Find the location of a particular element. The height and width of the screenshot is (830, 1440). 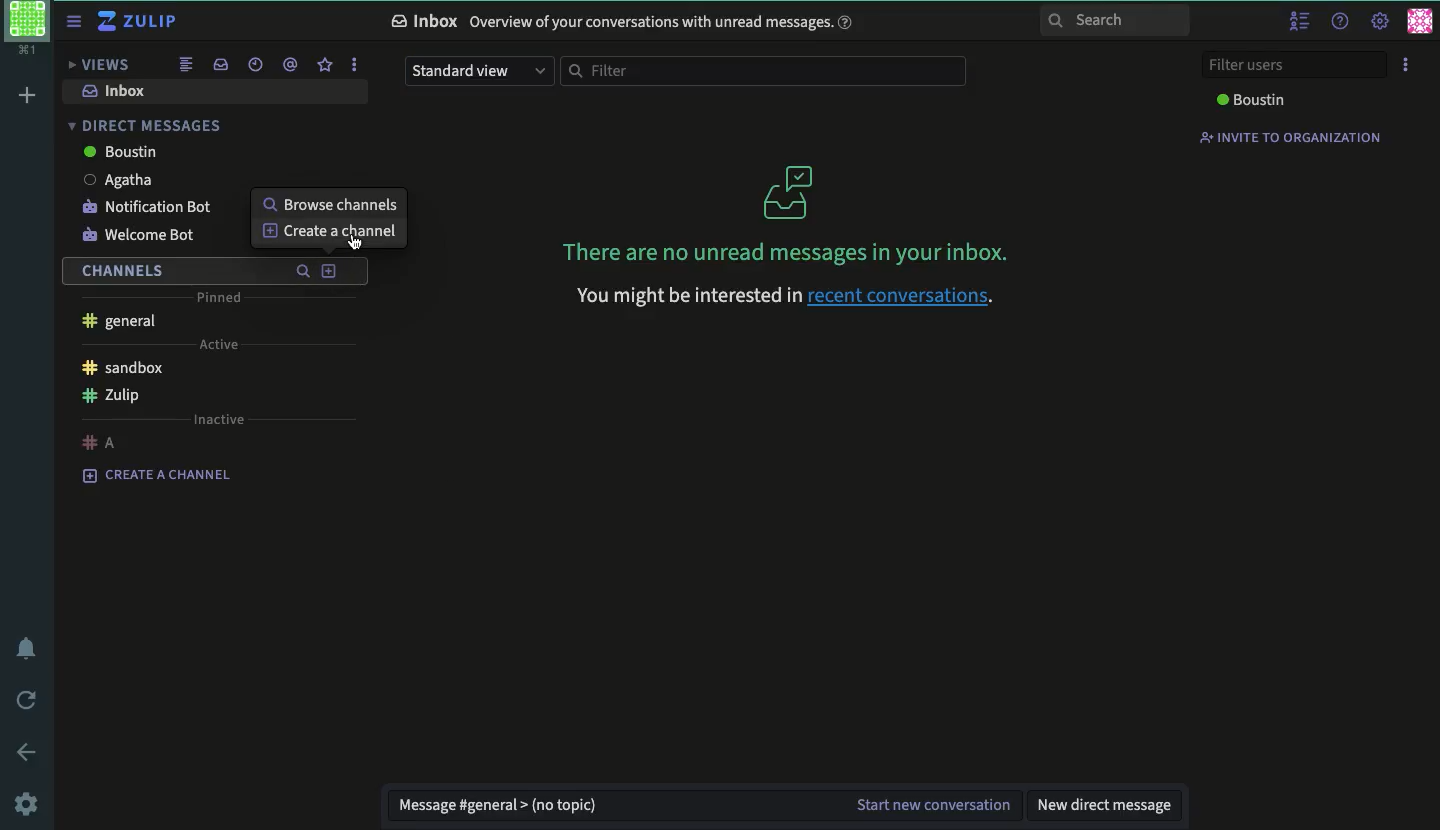

standard view is located at coordinates (480, 70).